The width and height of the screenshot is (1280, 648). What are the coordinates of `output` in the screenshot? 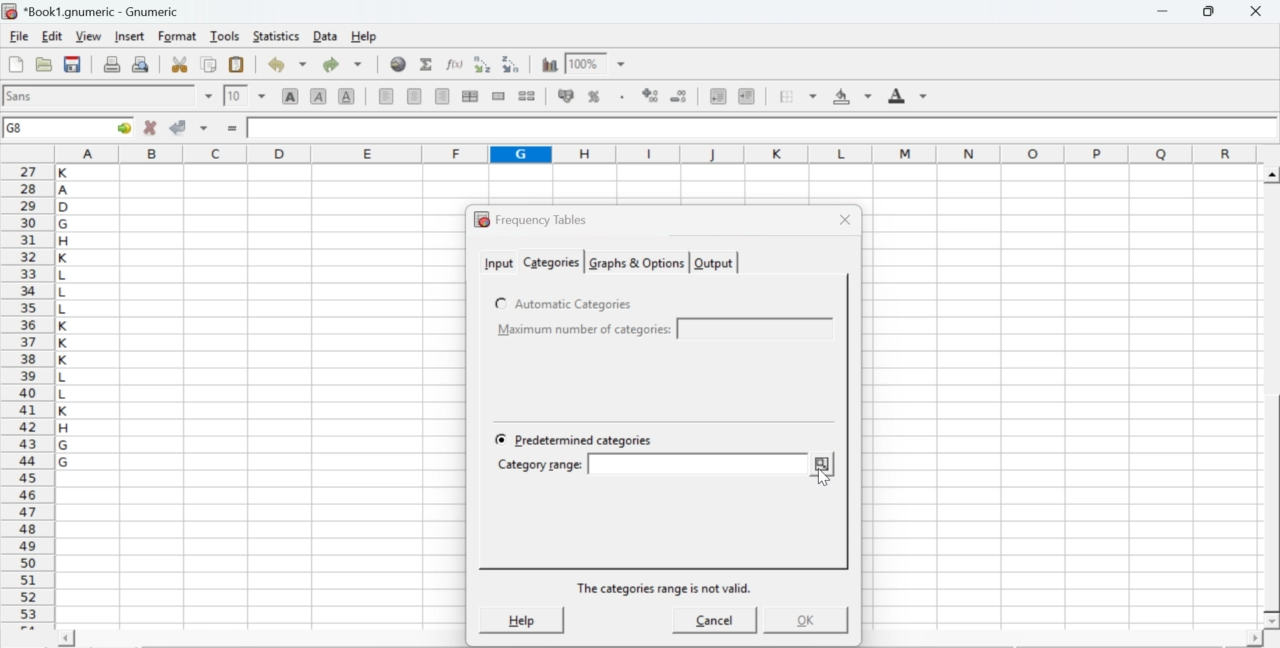 It's located at (715, 264).